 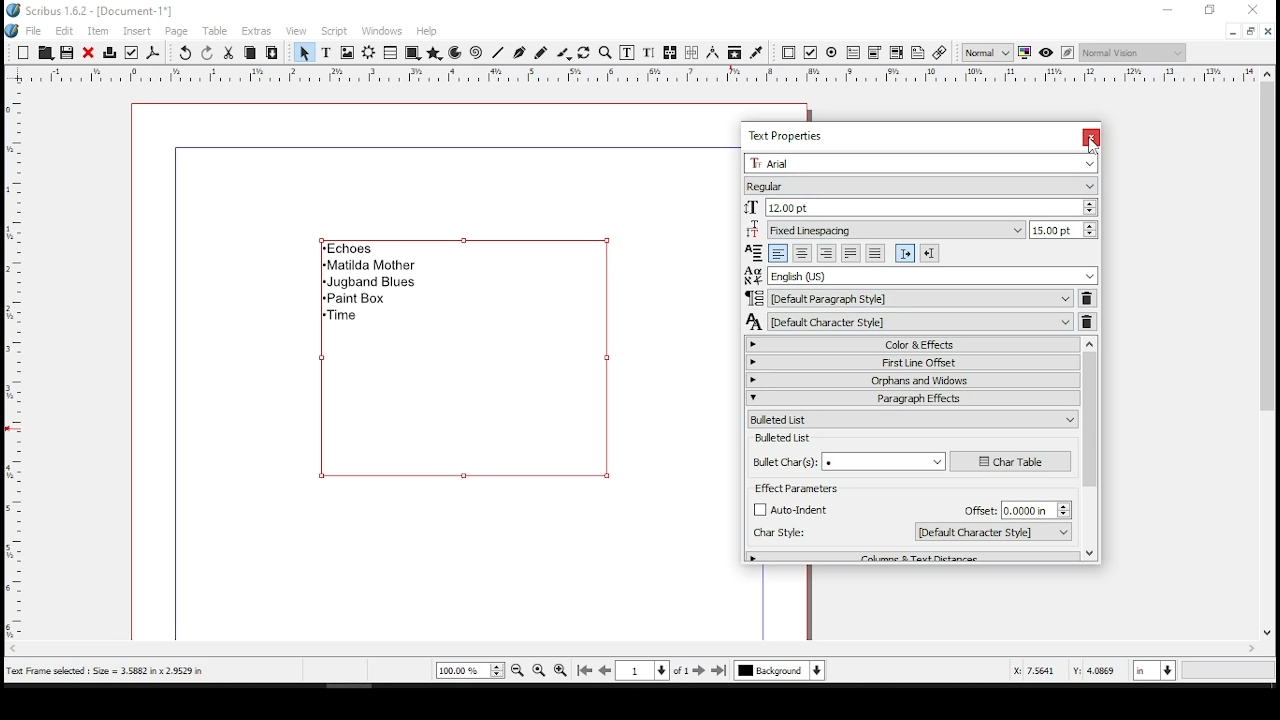 I want to click on table, so click(x=218, y=31).